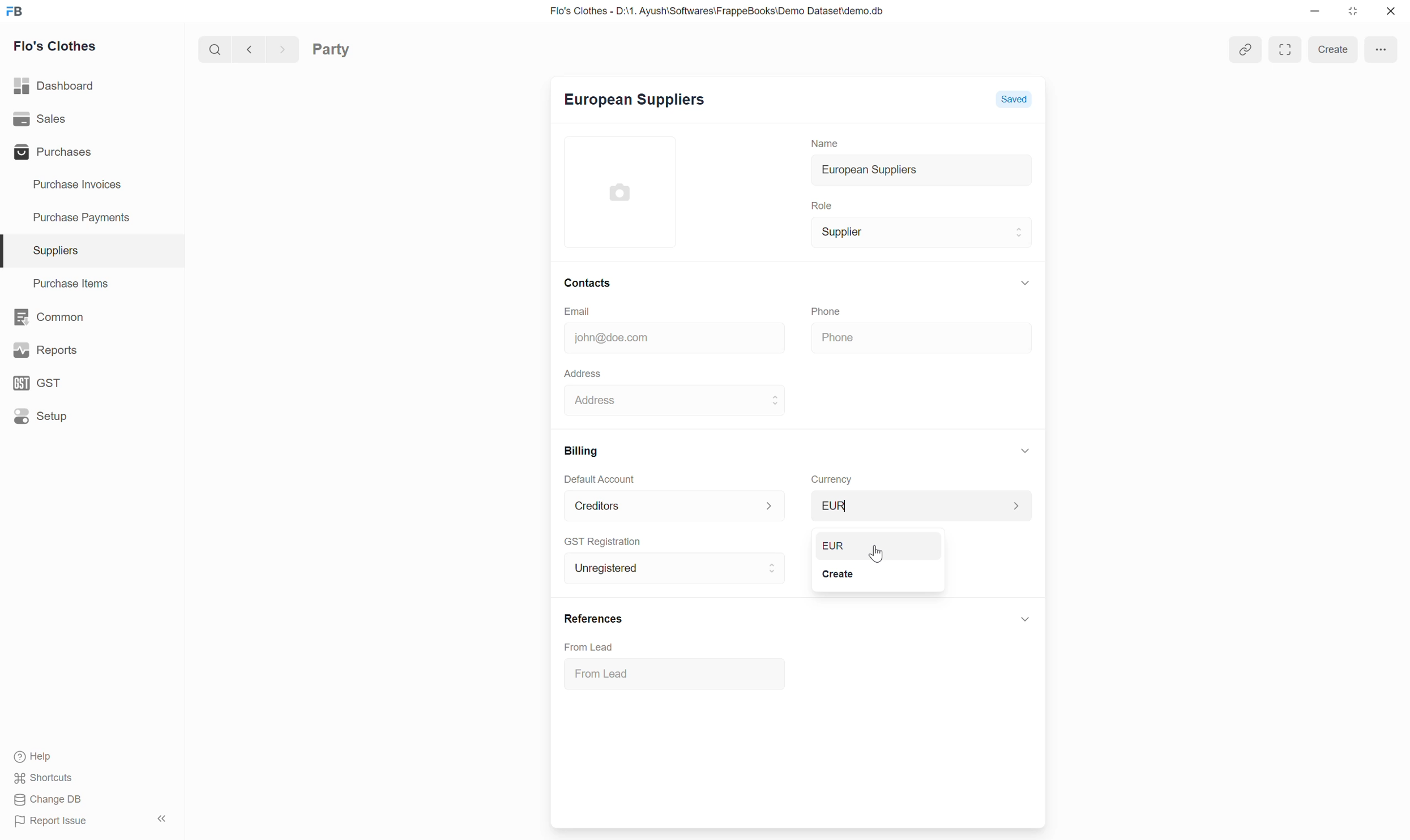 The width and height of the screenshot is (1410, 840). Describe the element at coordinates (587, 281) in the screenshot. I see `contacts` at that location.